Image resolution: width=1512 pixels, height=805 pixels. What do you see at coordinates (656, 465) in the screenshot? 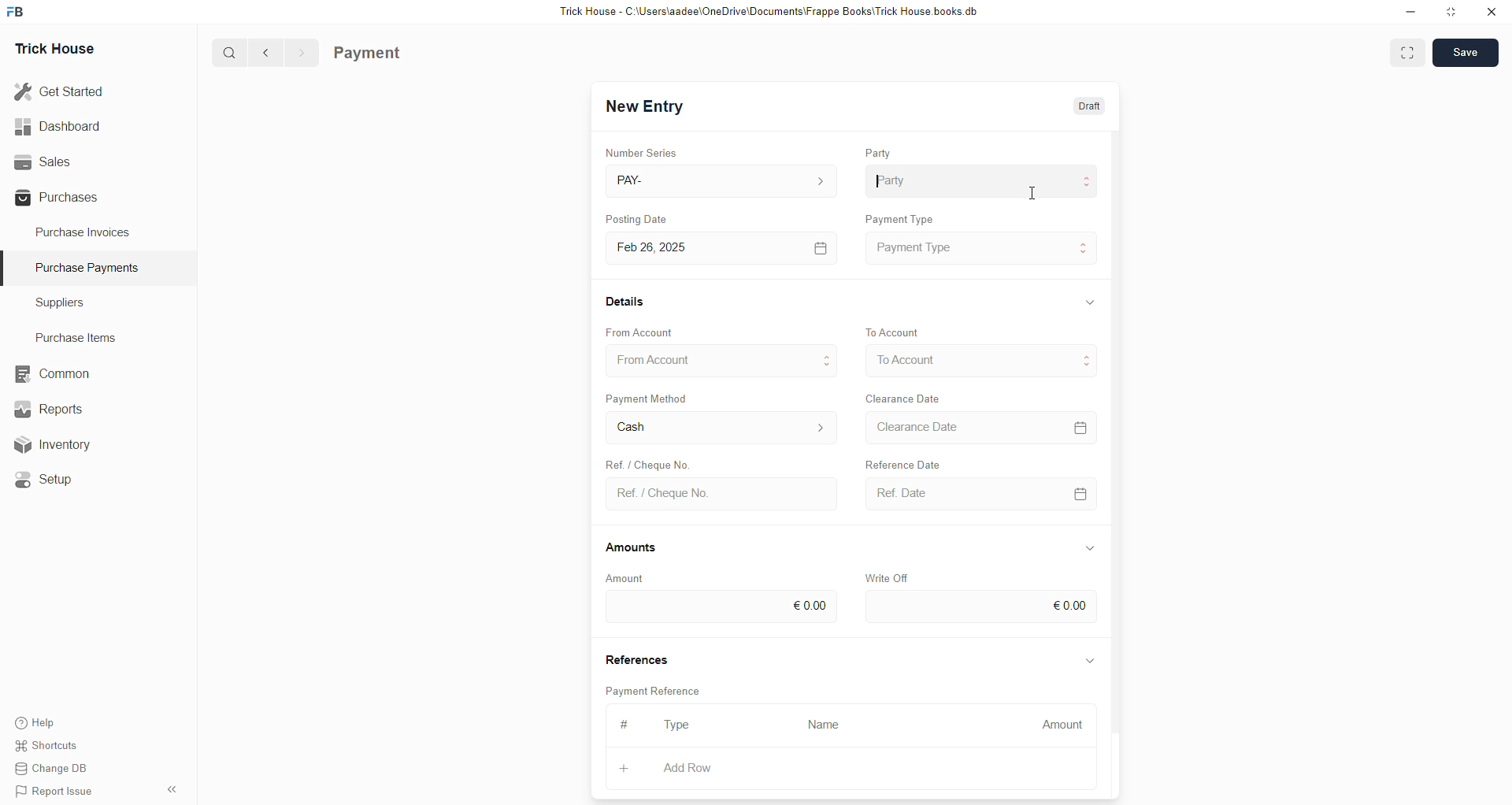
I see `Ref. / Cheque No.` at bounding box center [656, 465].